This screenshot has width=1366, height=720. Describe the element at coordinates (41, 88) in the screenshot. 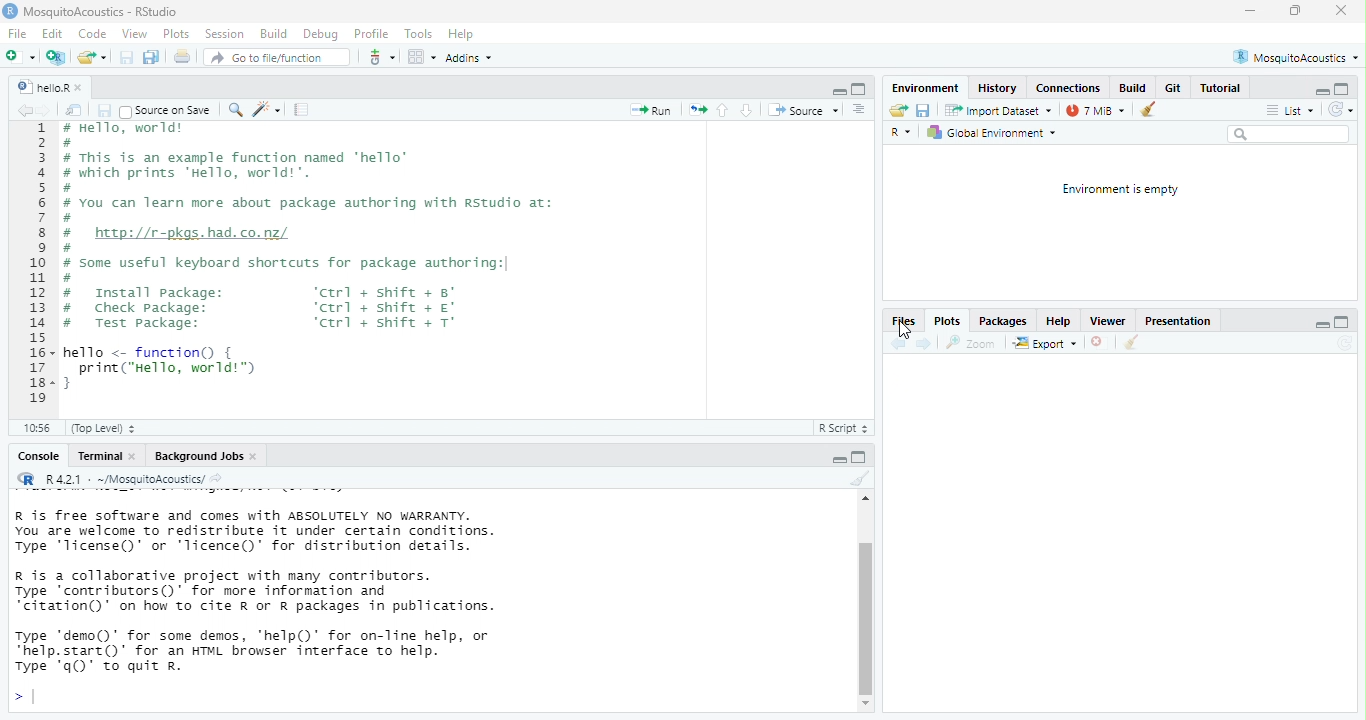

I see ` hellor` at that location.